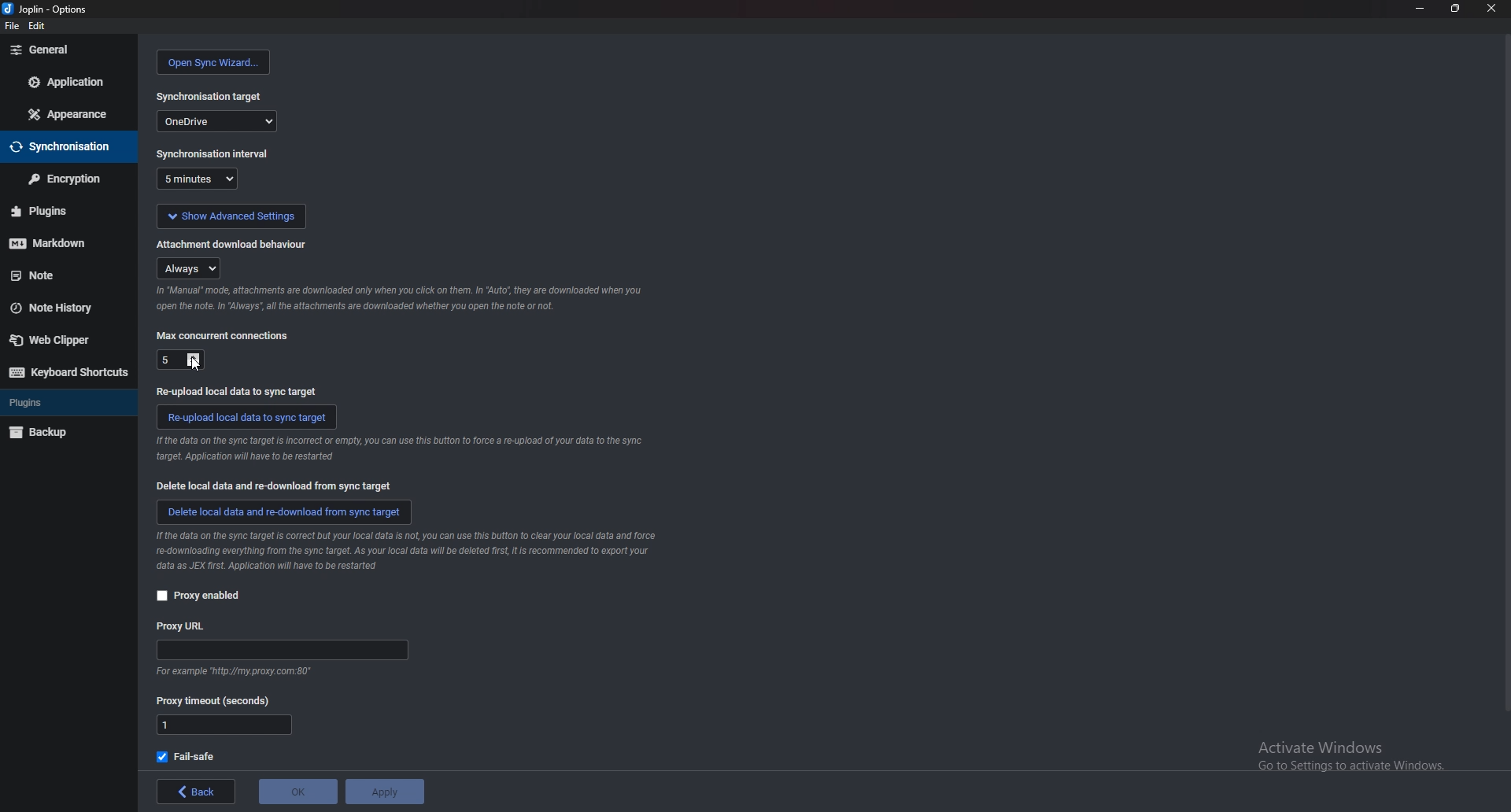 The width and height of the screenshot is (1511, 812). Describe the element at coordinates (179, 360) in the screenshot. I see `5` at that location.